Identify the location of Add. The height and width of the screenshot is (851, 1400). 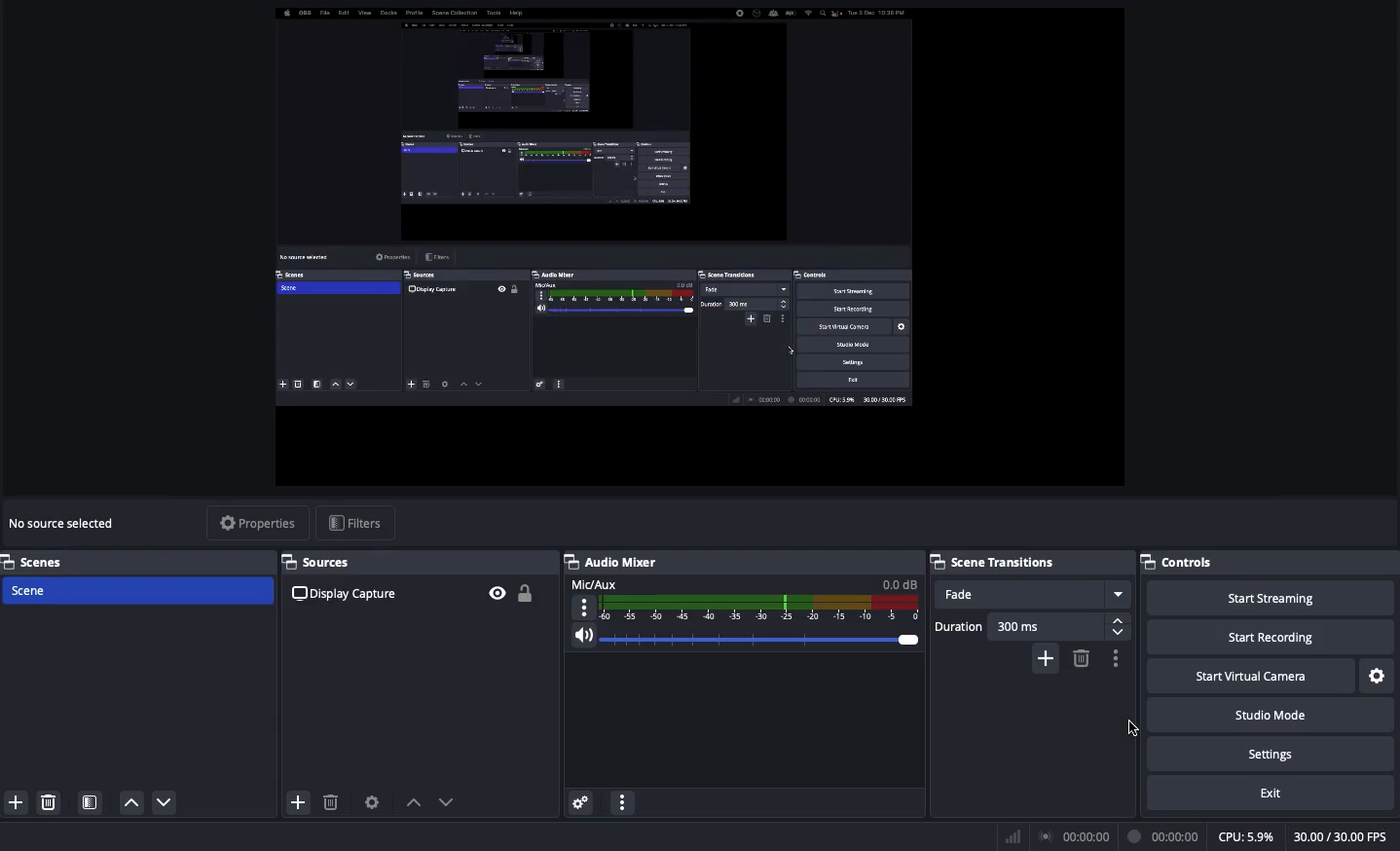
(13, 800).